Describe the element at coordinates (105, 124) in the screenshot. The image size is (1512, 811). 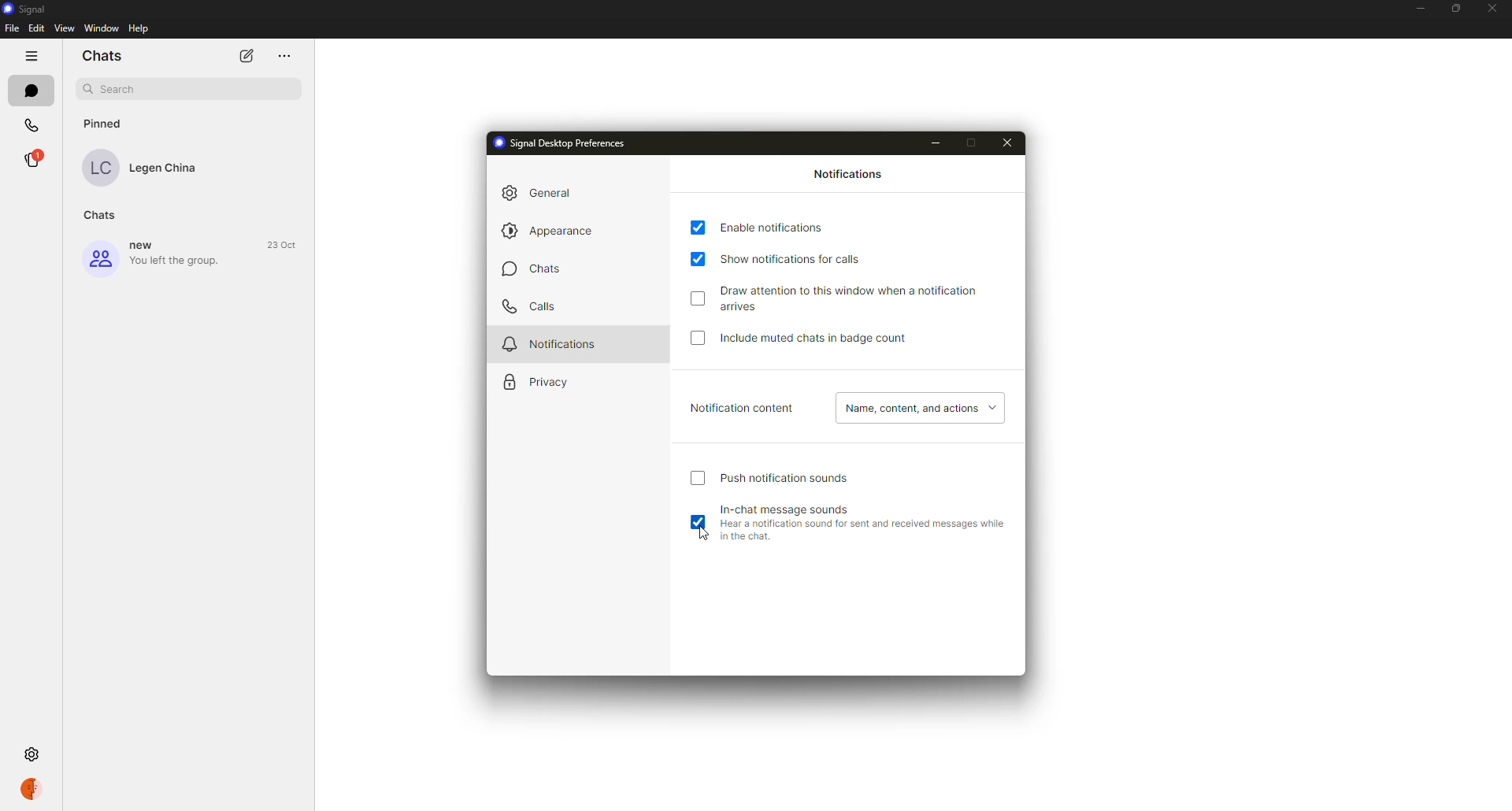
I see `Pinned` at that location.